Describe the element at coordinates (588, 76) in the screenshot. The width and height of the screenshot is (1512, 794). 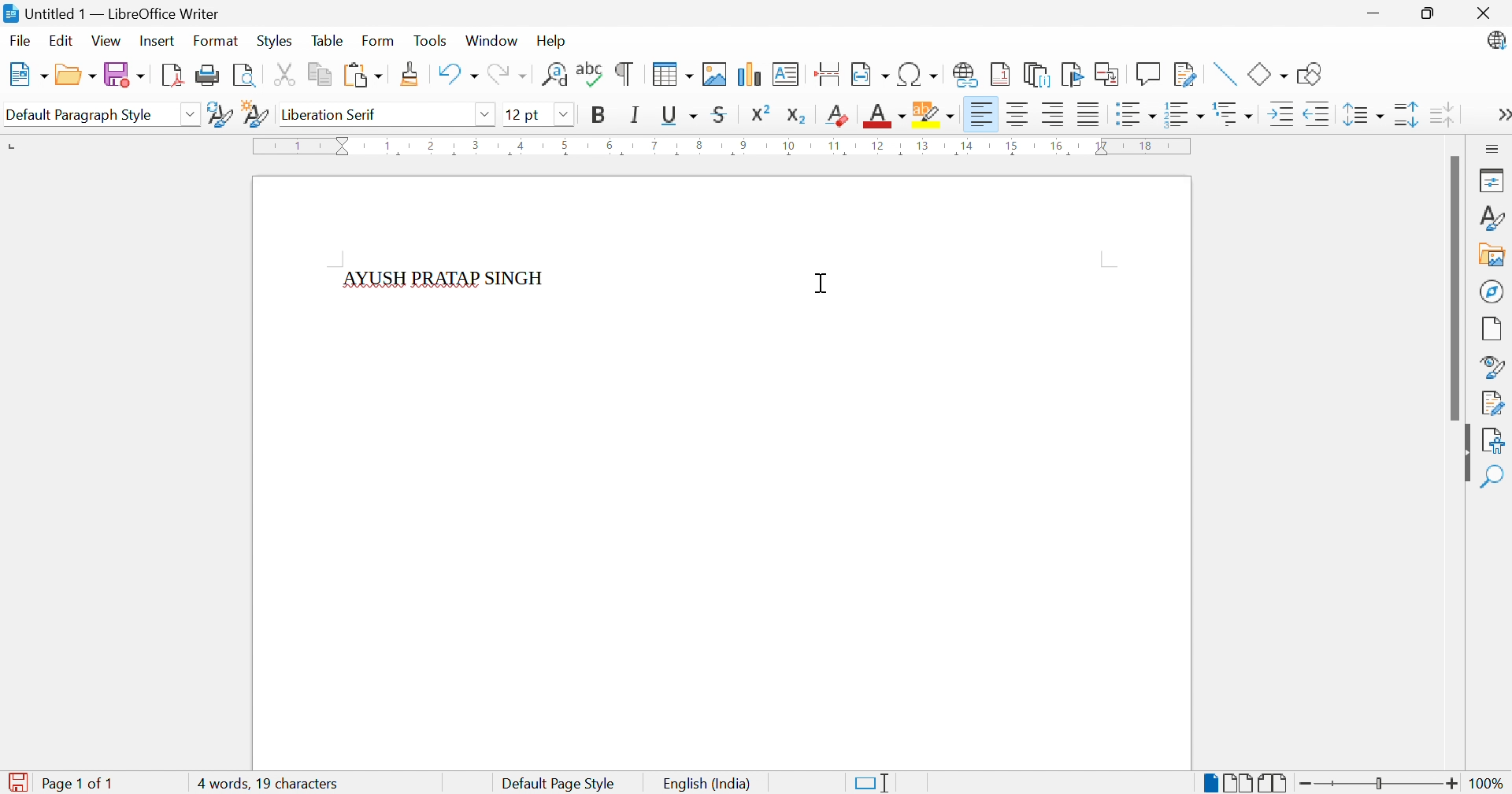
I see `Check Spelling` at that location.